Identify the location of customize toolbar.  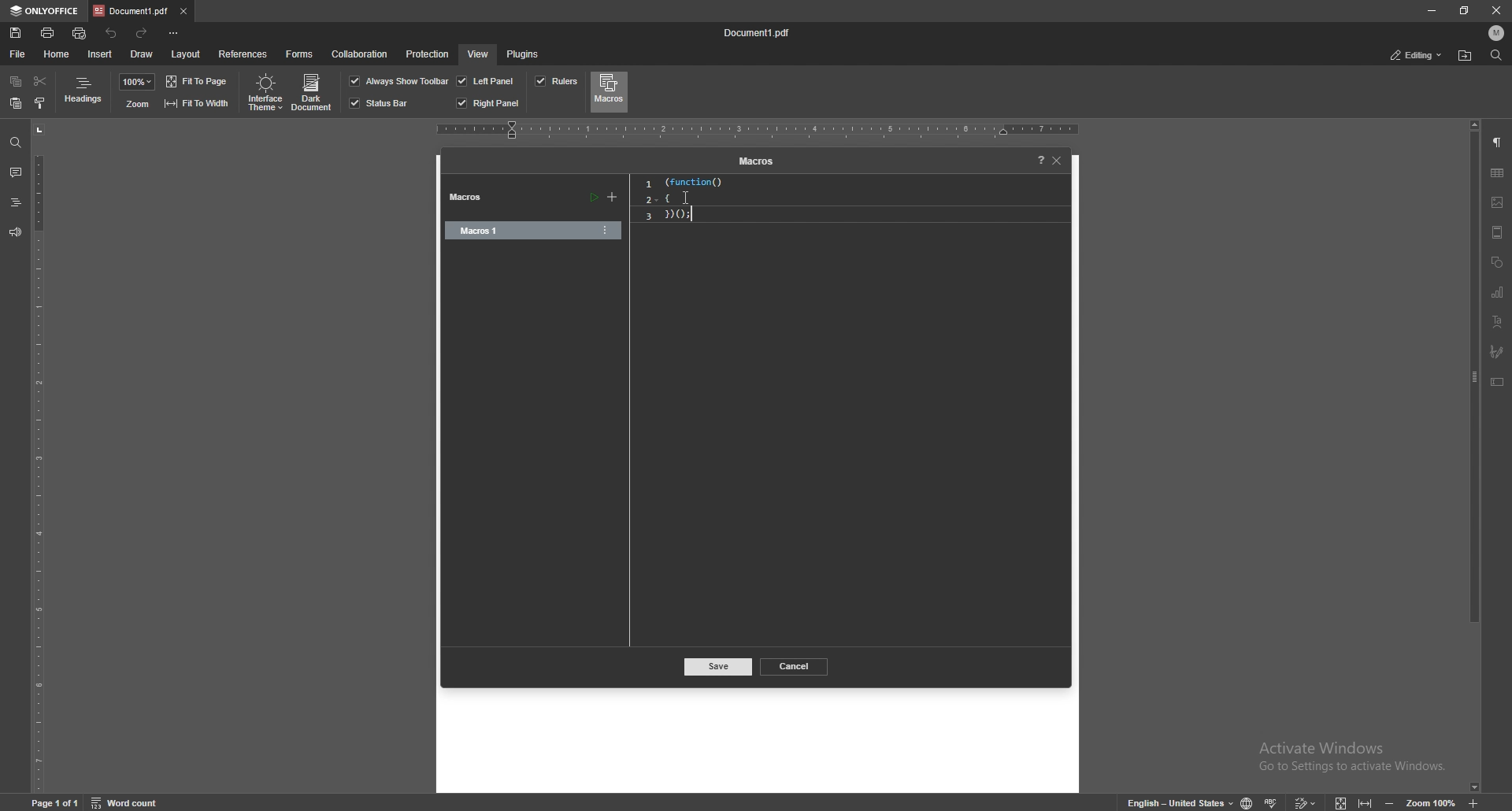
(176, 33).